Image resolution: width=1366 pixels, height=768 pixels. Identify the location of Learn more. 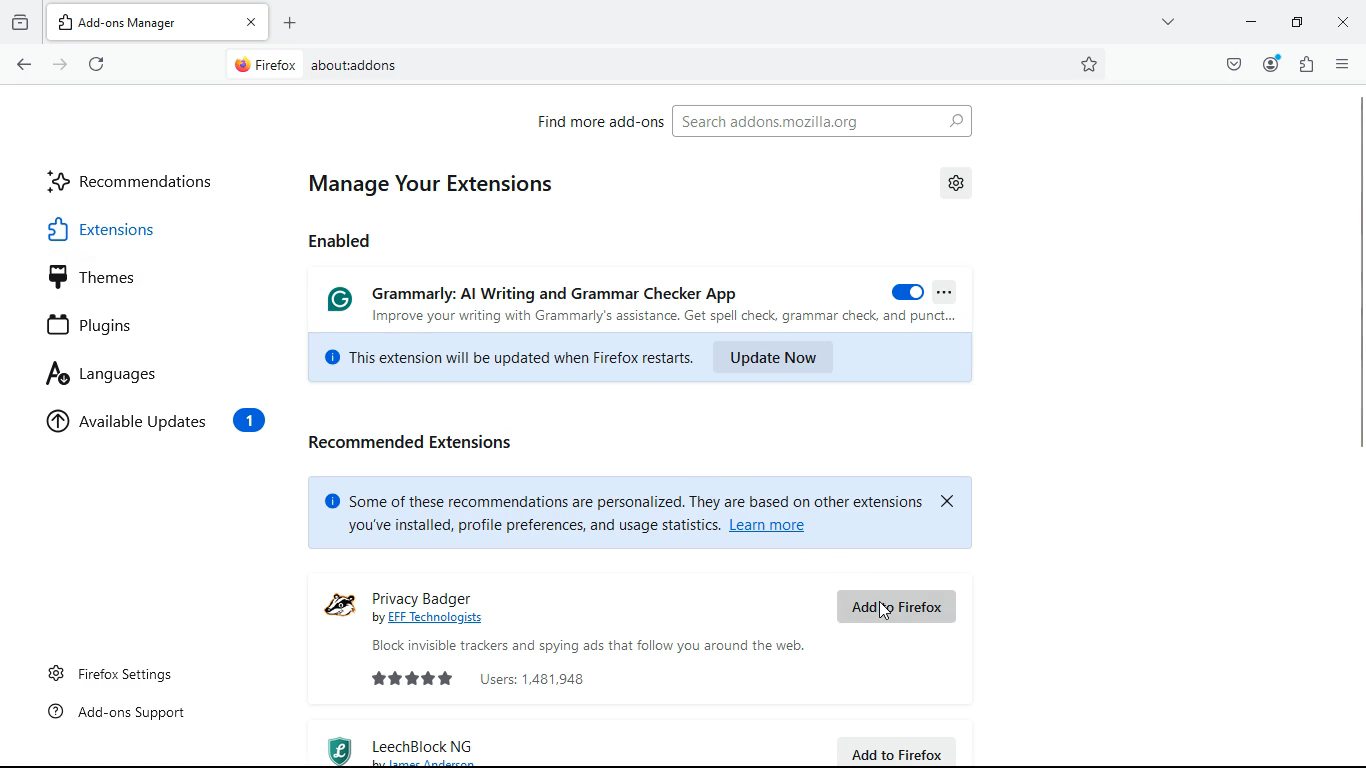
(770, 527).